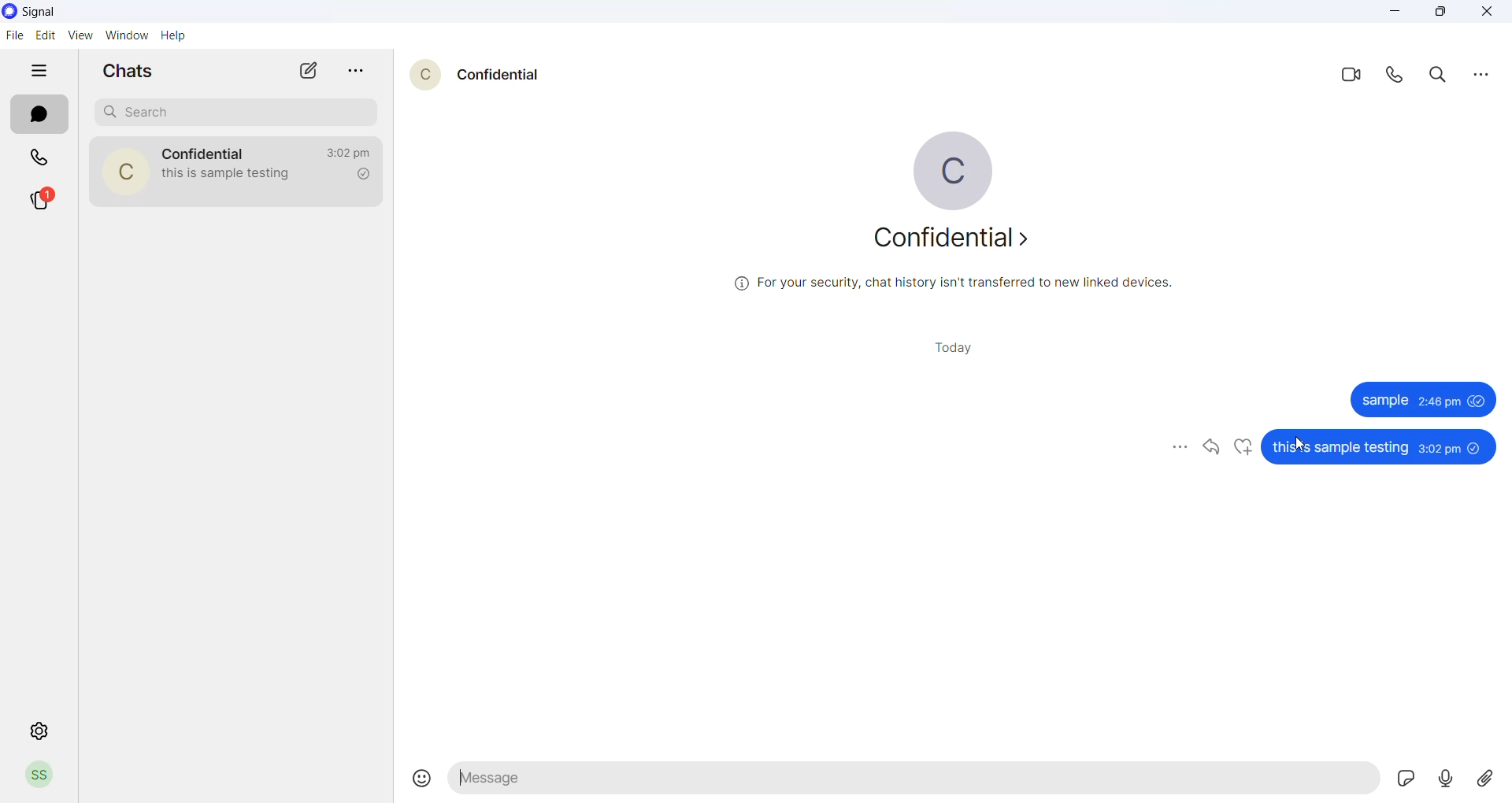  I want to click on application name and logo, so click(45, 11).